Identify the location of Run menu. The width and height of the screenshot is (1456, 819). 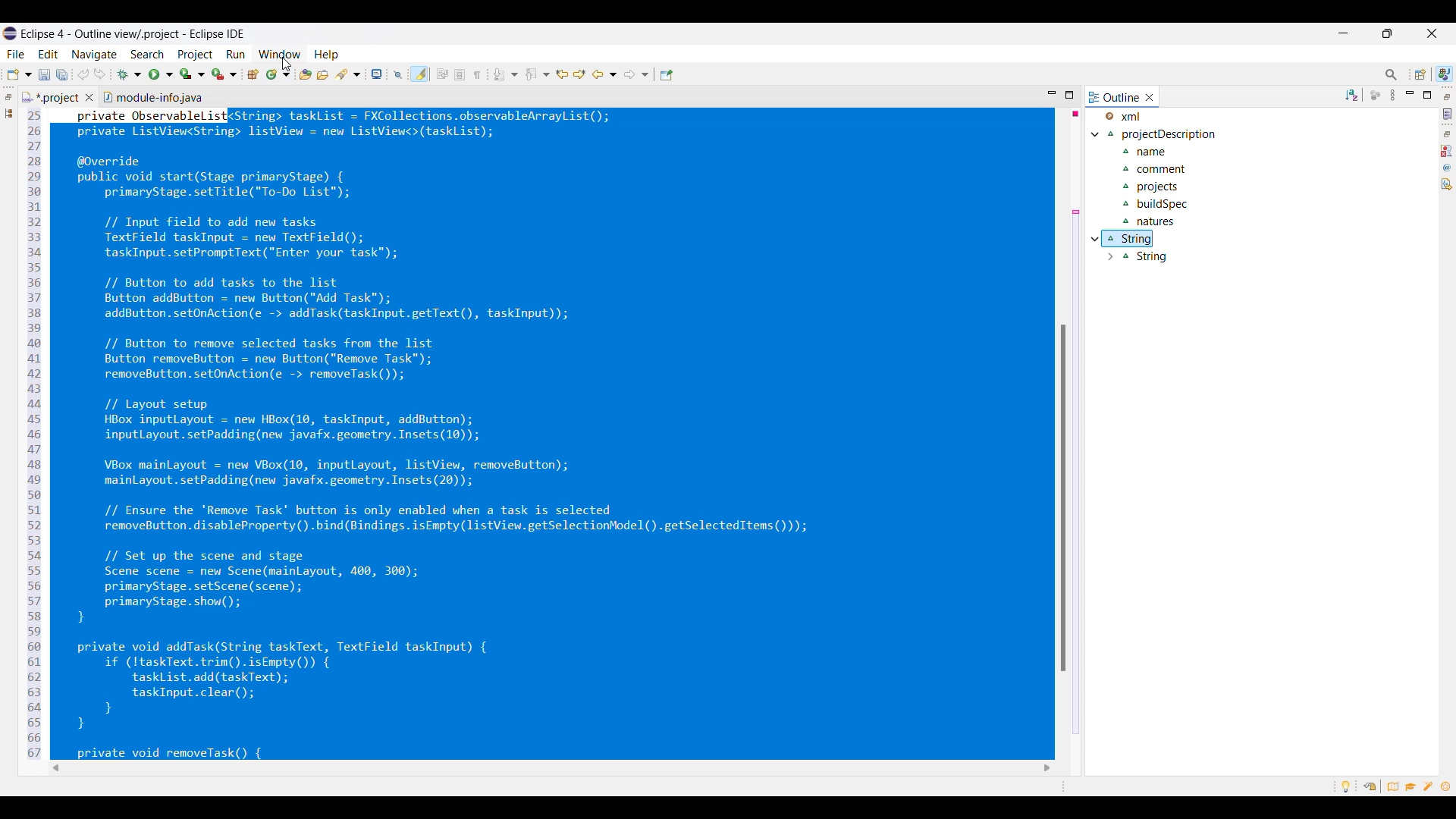
(236, 54).